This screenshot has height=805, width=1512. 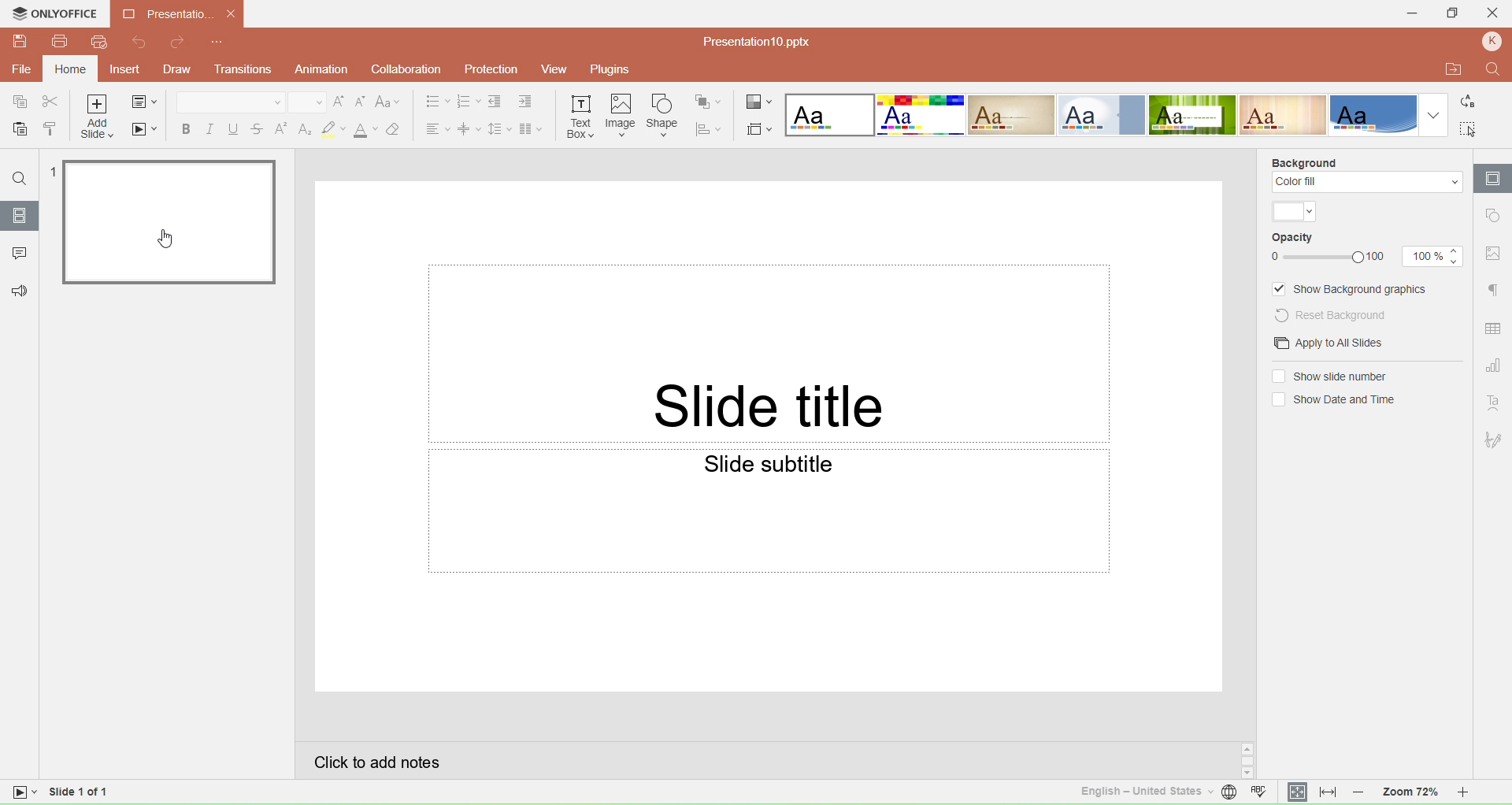 I want to click on Color fill, so click(x=1366, y=183).